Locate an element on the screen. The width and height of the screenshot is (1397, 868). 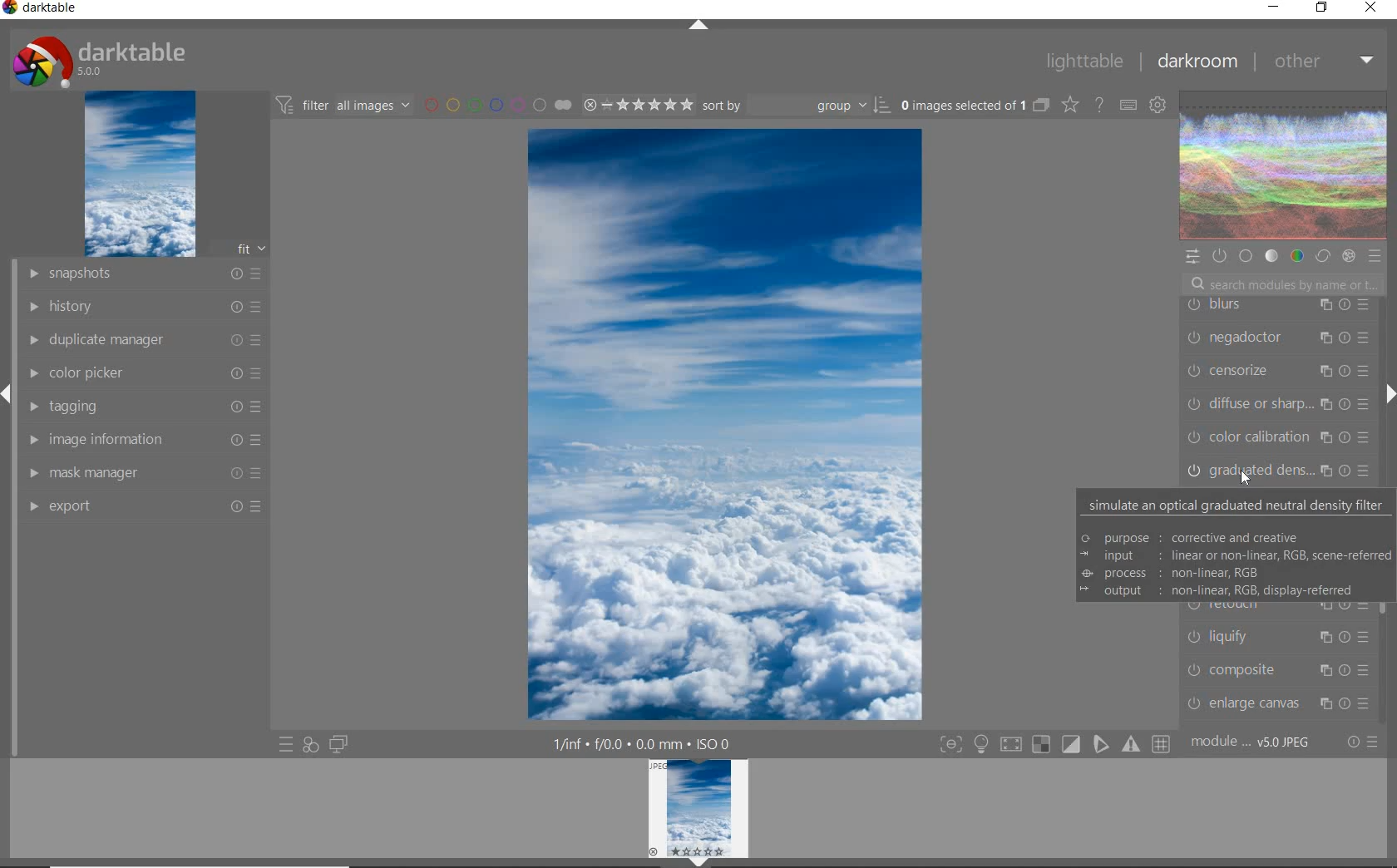
ENABLE FOR ONLINE HELP is located at coordinates (1098, 104).